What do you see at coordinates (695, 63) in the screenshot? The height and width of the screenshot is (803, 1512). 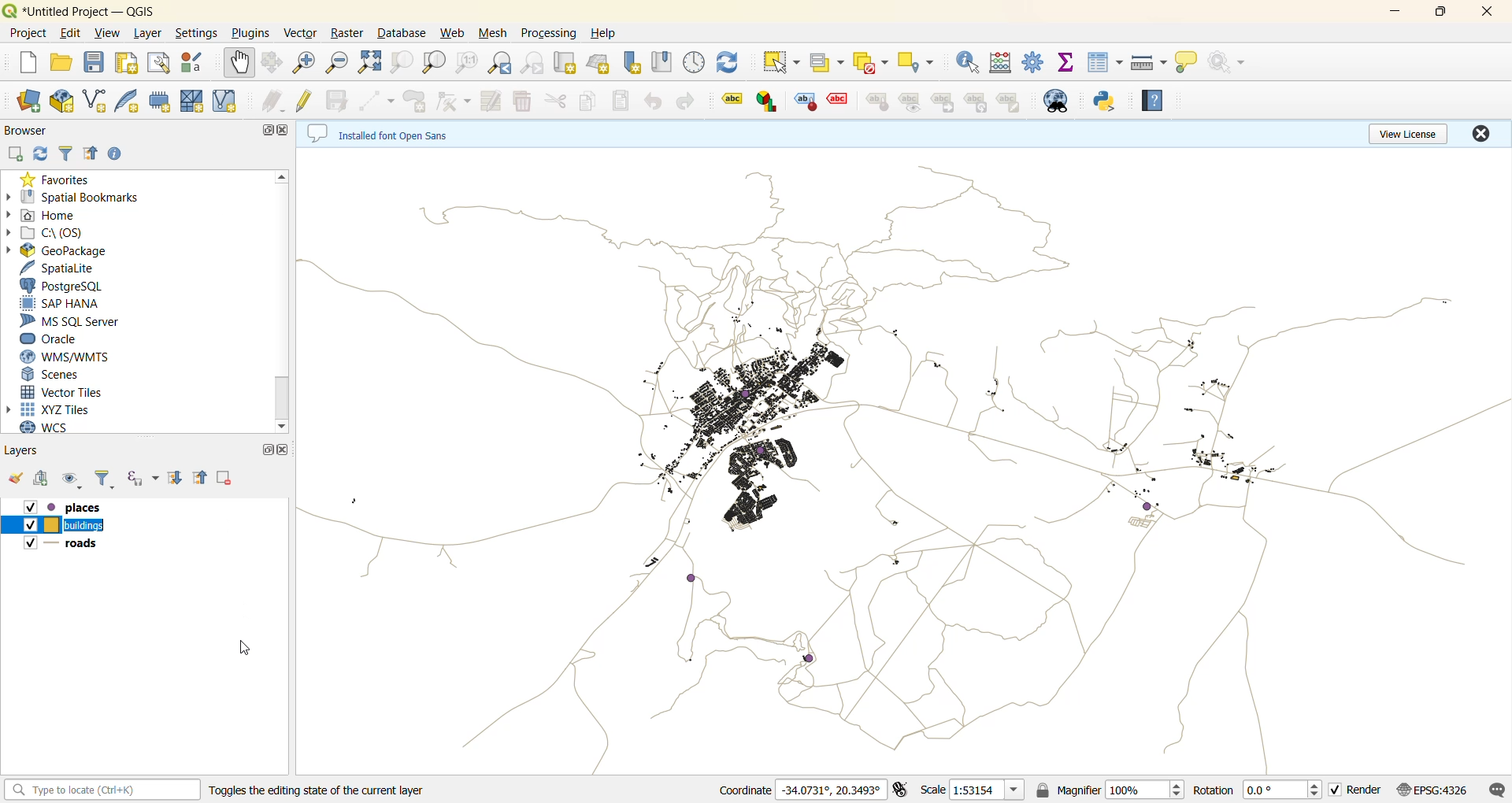 I see `control panel` at bounding box center [695, 63].